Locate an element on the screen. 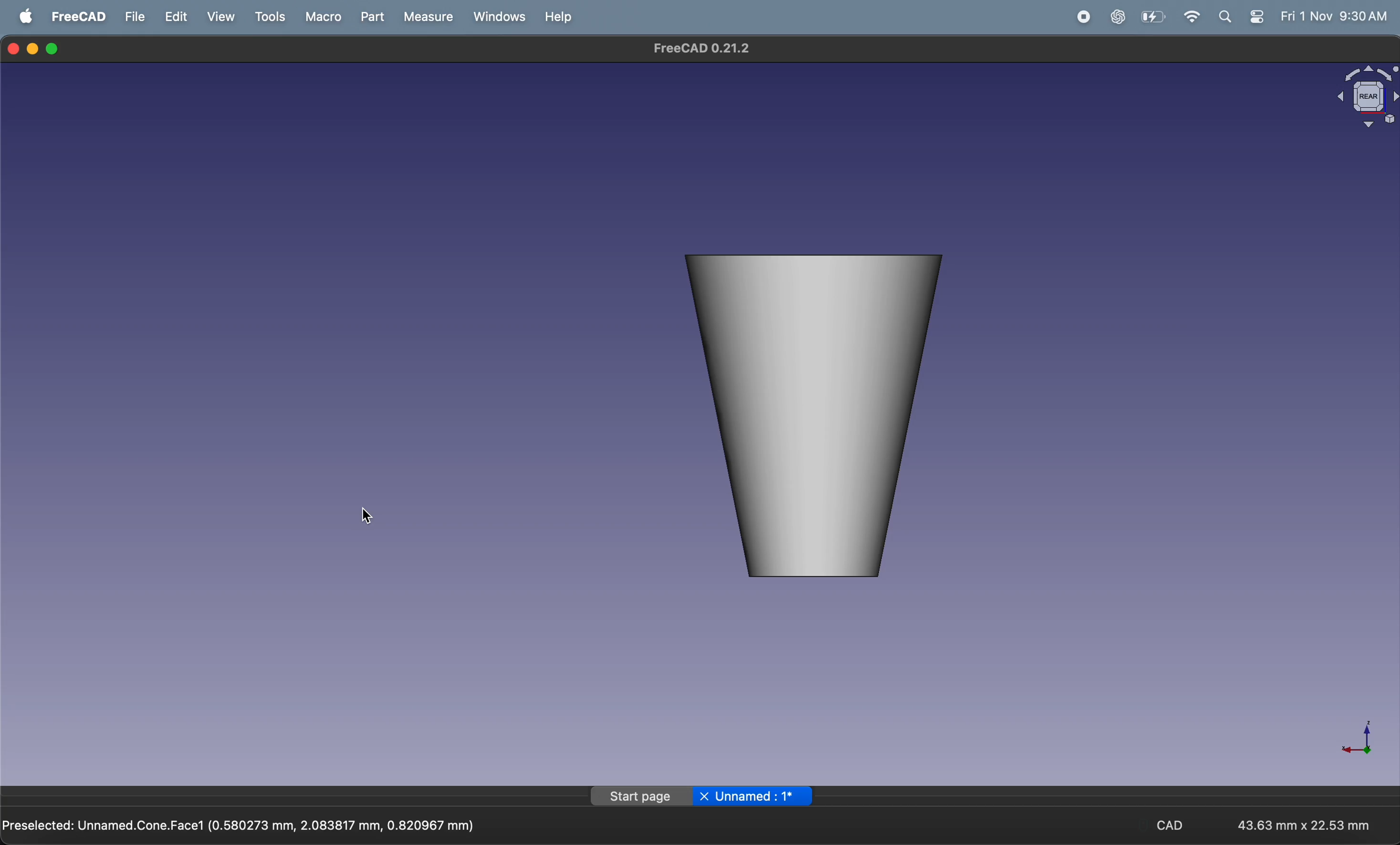  record is located at coordinates (1080, 17).